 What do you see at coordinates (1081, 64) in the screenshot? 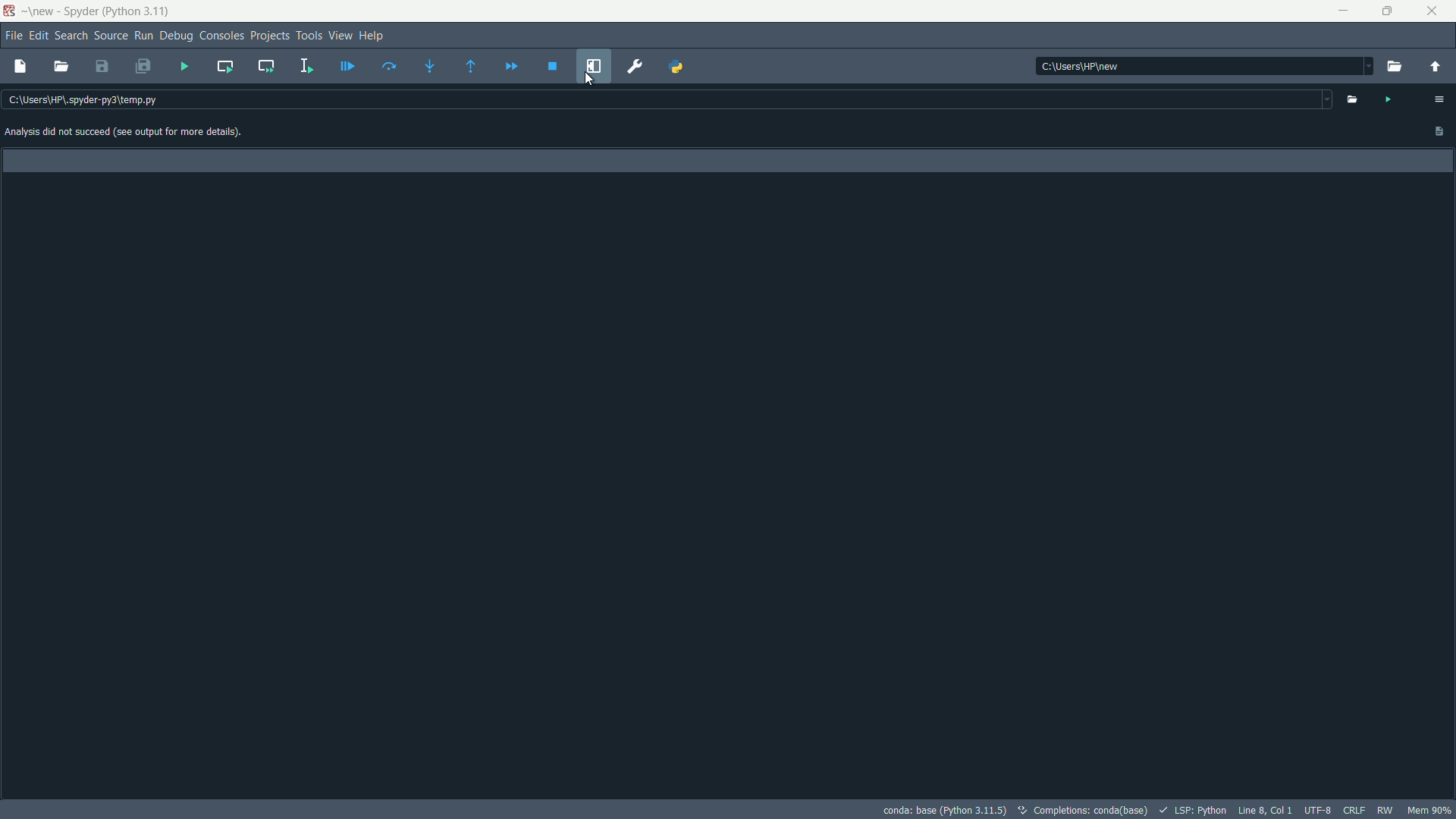
I see `NN C:\Users\HP\new` at bounding box center [1081, 64].